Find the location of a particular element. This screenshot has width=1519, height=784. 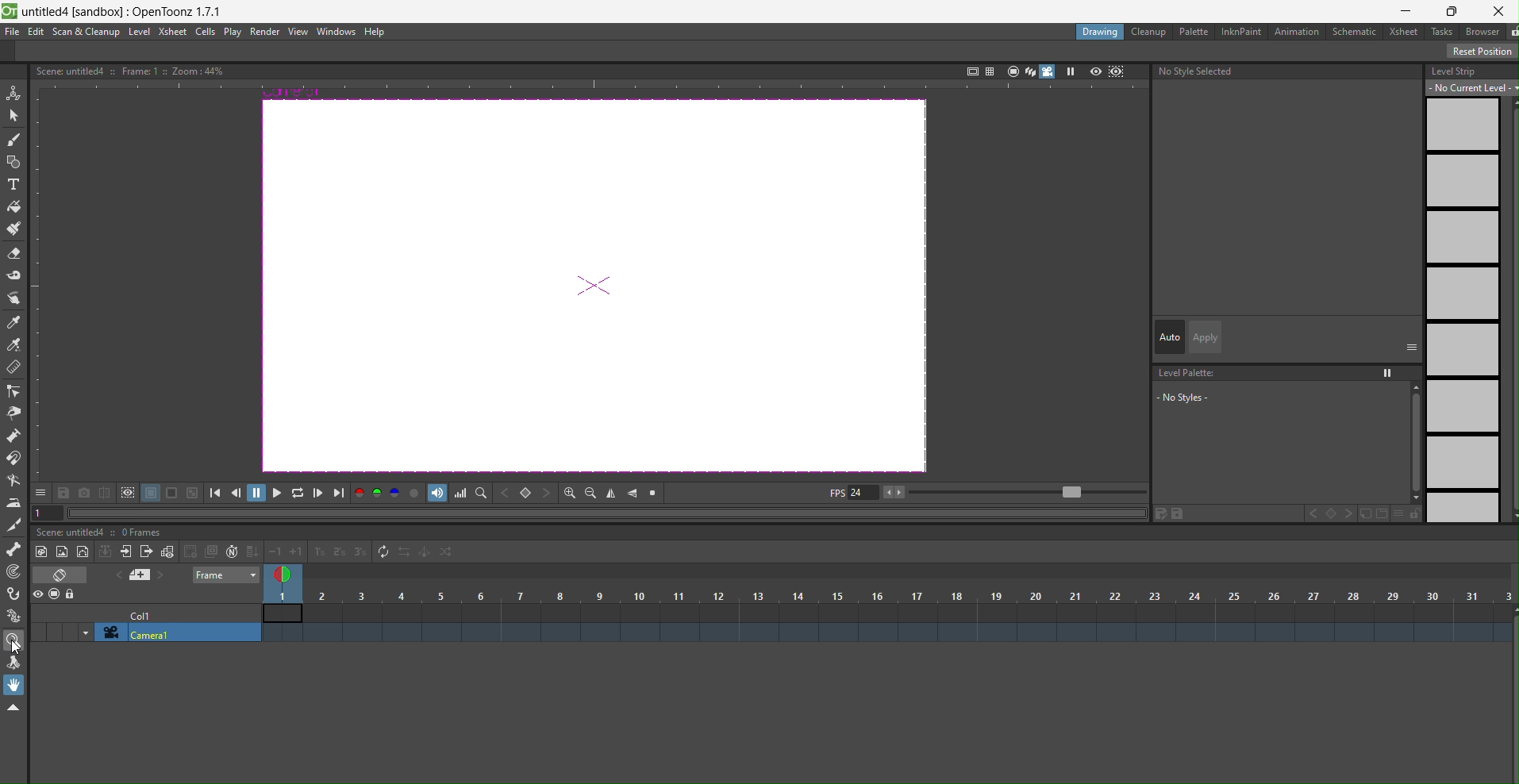

reset position is located at coordinates (1482, 52).